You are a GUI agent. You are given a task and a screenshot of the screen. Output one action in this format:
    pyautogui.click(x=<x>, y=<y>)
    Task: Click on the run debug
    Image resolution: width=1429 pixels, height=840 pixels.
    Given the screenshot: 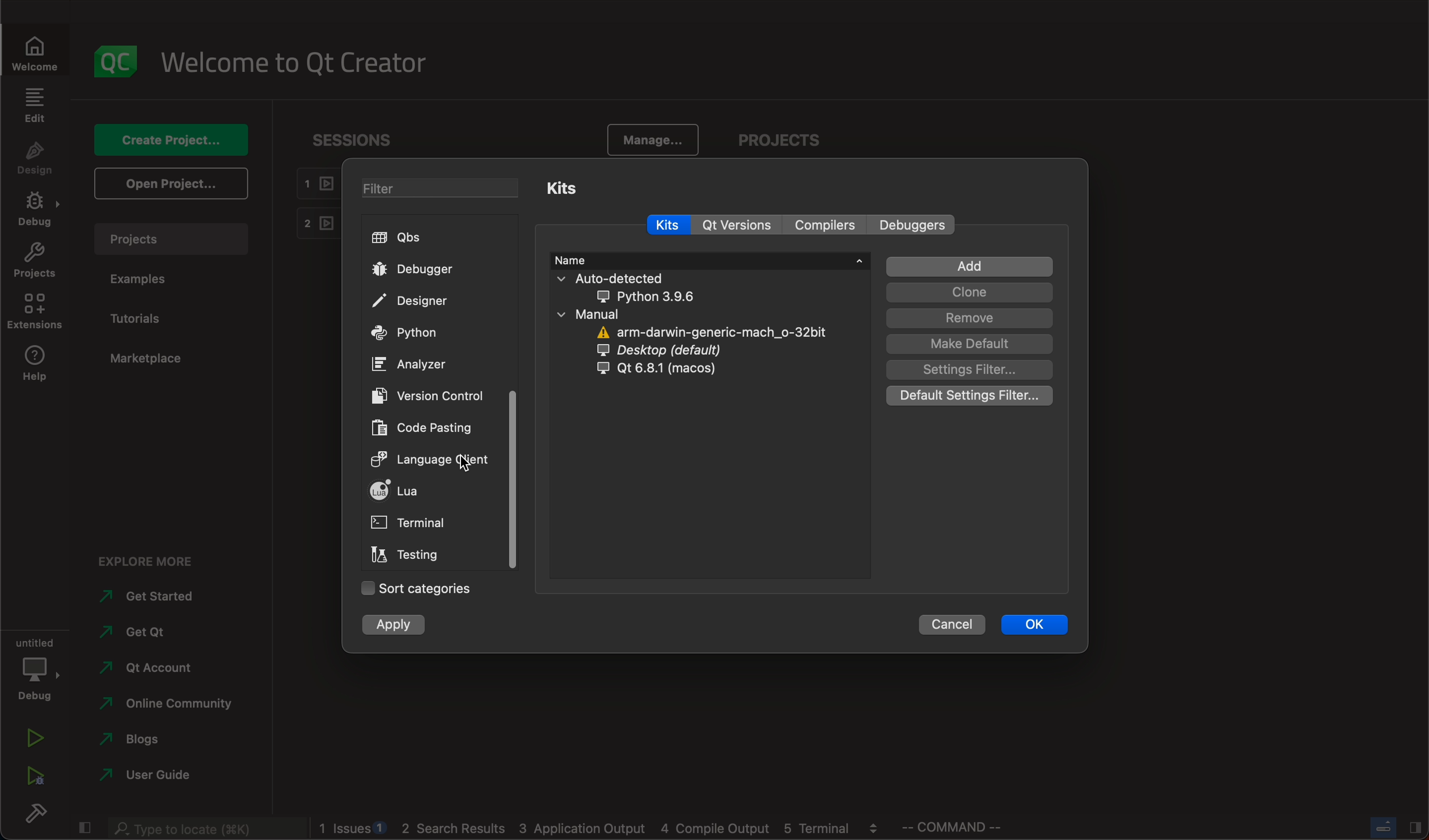 What is the action you would take?
    pyautogui.click(x=32, y=779)
    